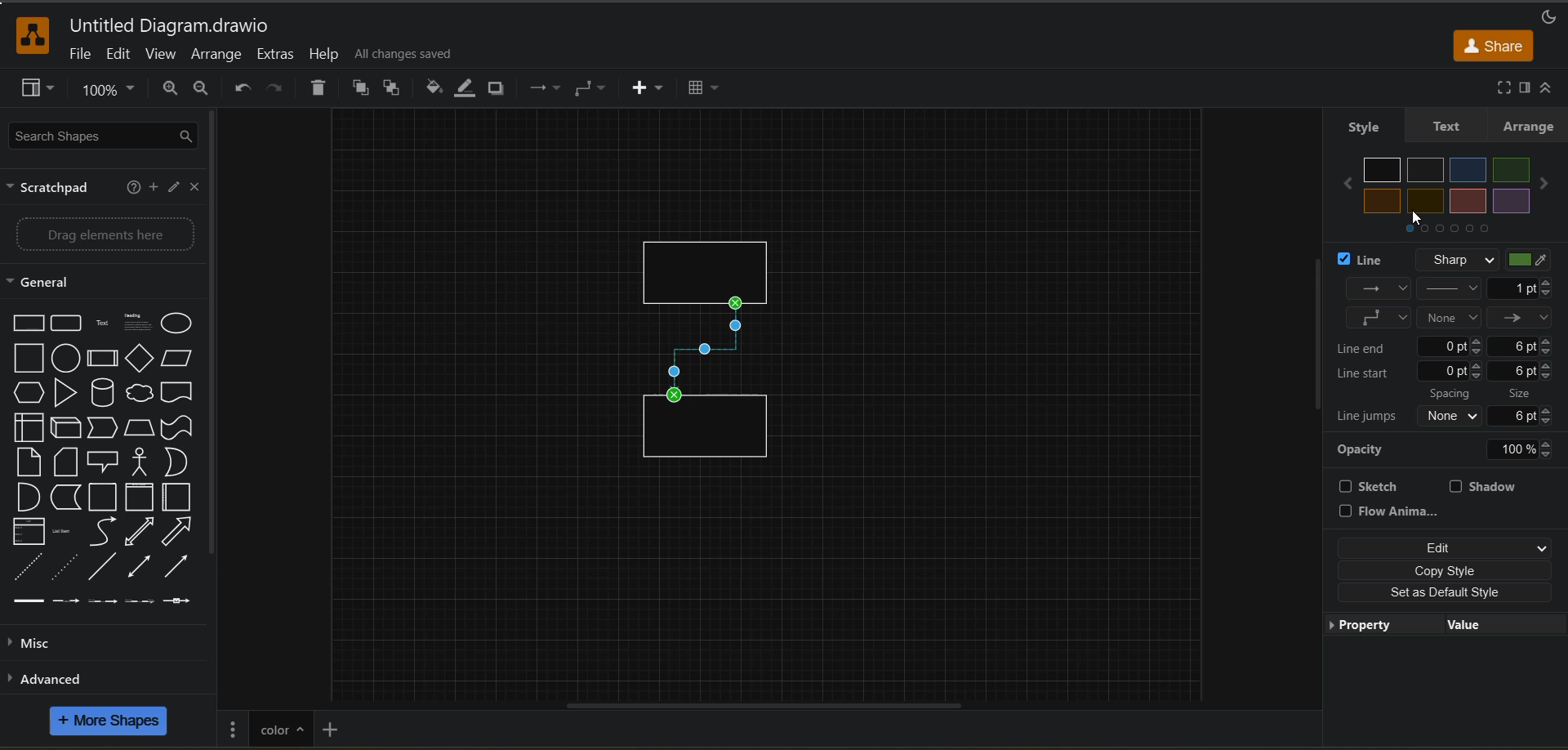 This screenshot has width=1568, height=750. What do you see at coordinates (1376, 486) in the screenshot?
I see `sketch` at bounding box center [1376, 486].